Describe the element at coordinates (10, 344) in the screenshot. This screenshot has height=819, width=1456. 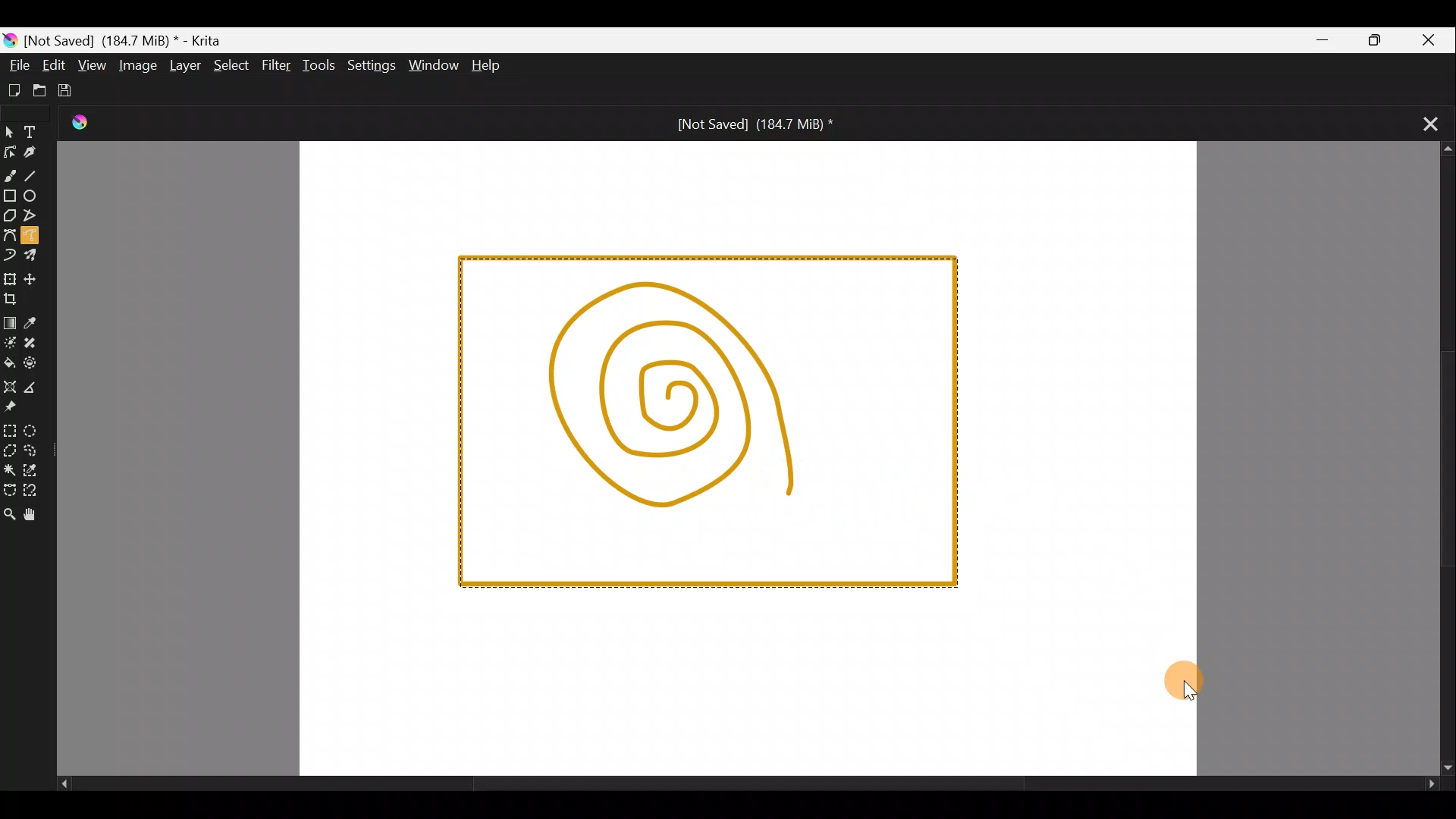
I see `Colourise mask tool` at that location.